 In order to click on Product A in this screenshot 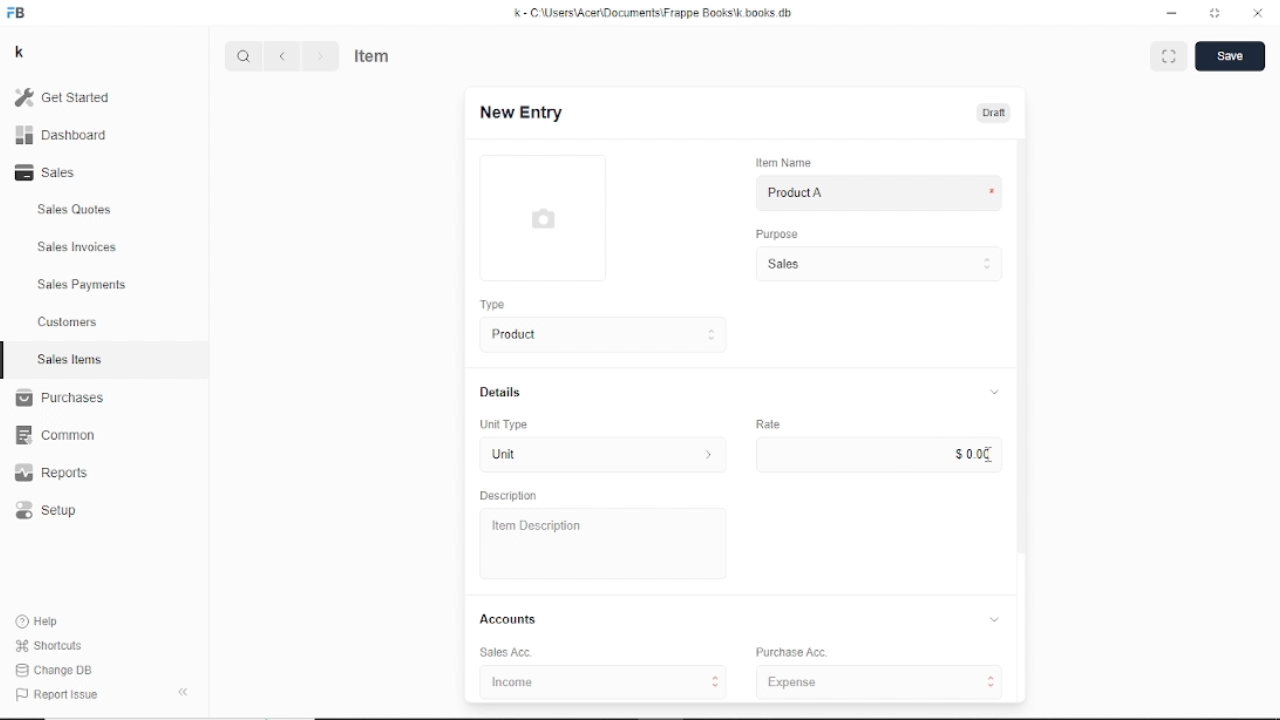, I will do `click(795, 193)`.